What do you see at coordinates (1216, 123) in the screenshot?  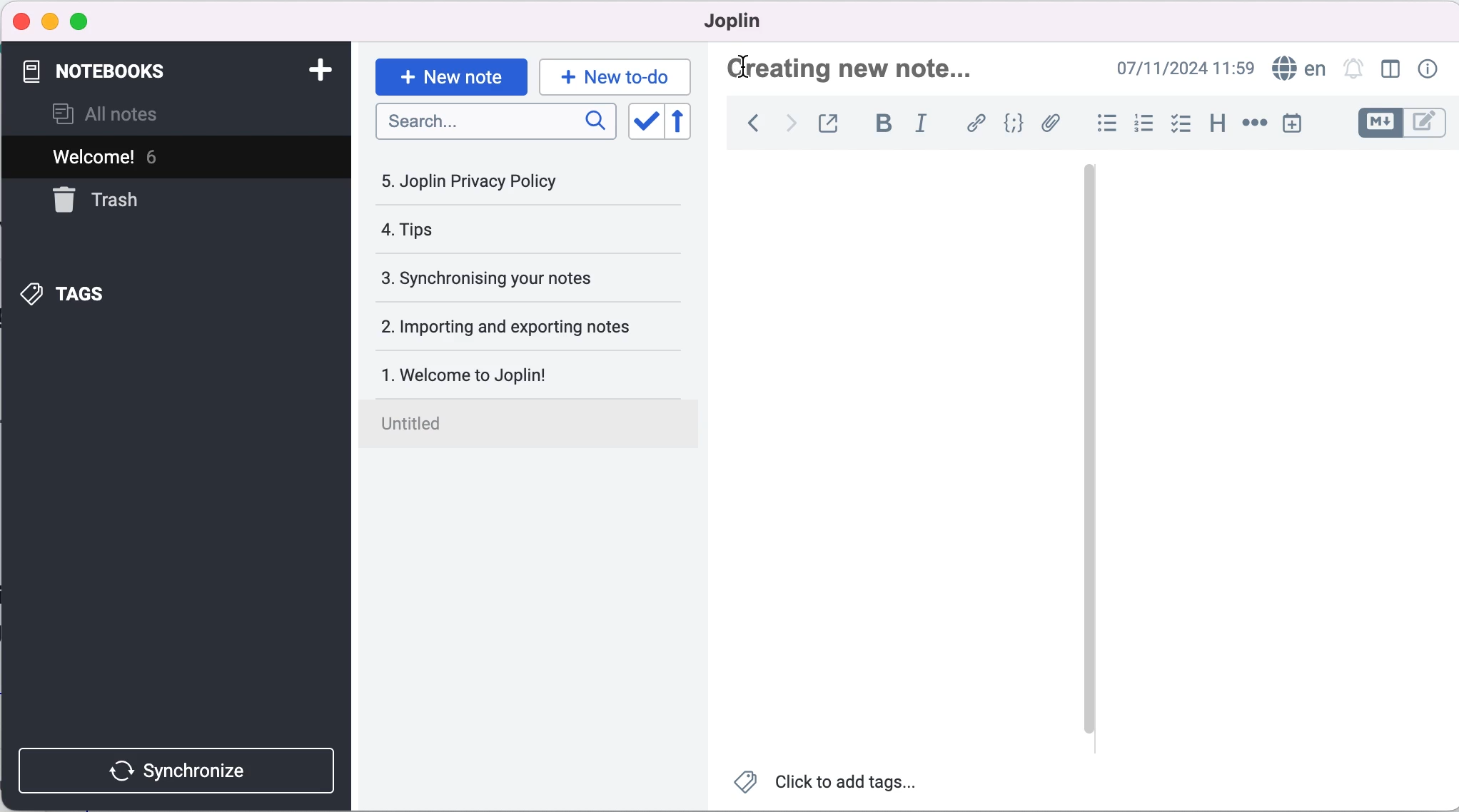 I see `heading` at bounding box center [1216, 123].